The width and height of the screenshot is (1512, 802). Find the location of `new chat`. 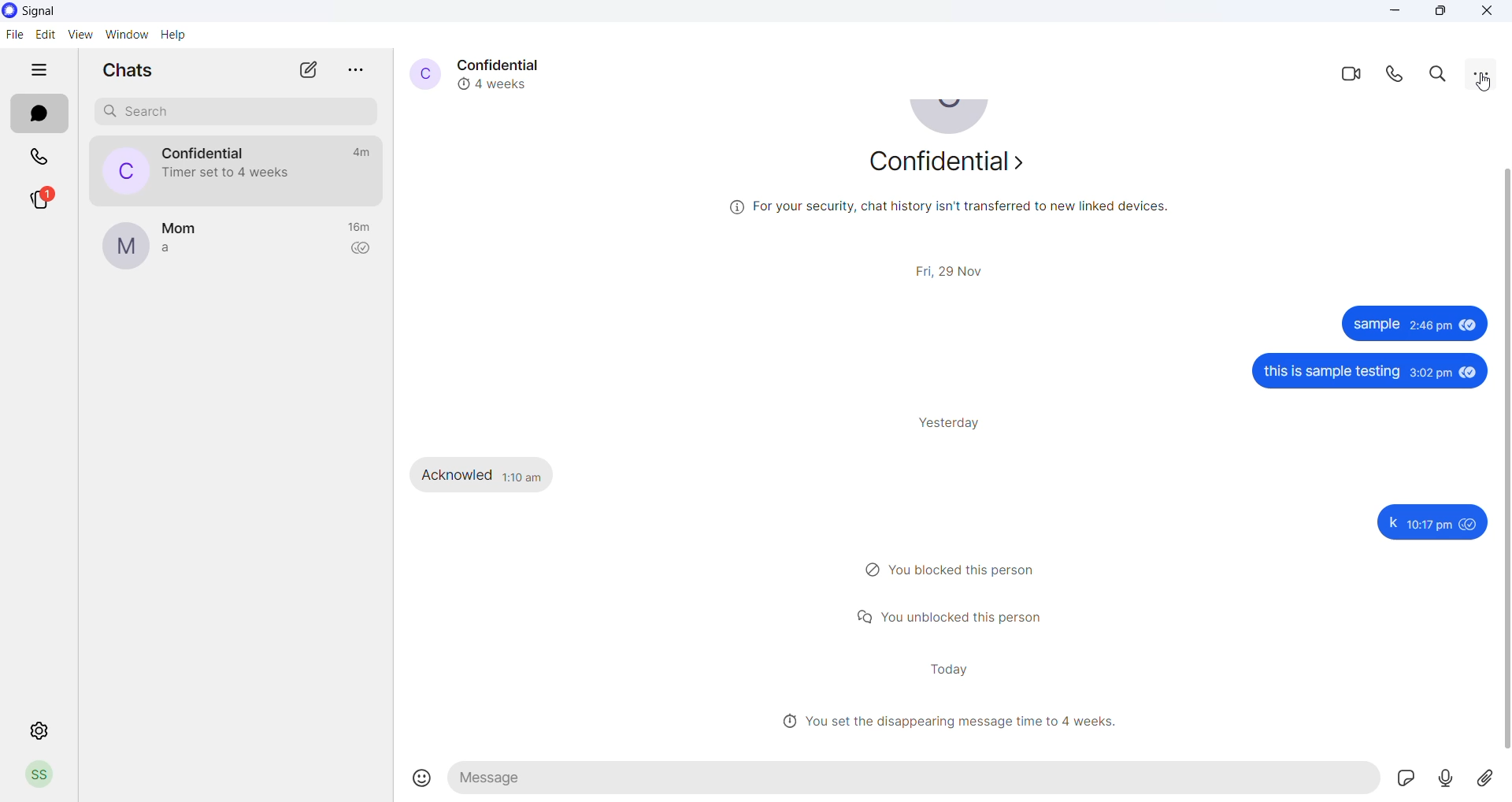

new chat is located at coordinates (308, 70).